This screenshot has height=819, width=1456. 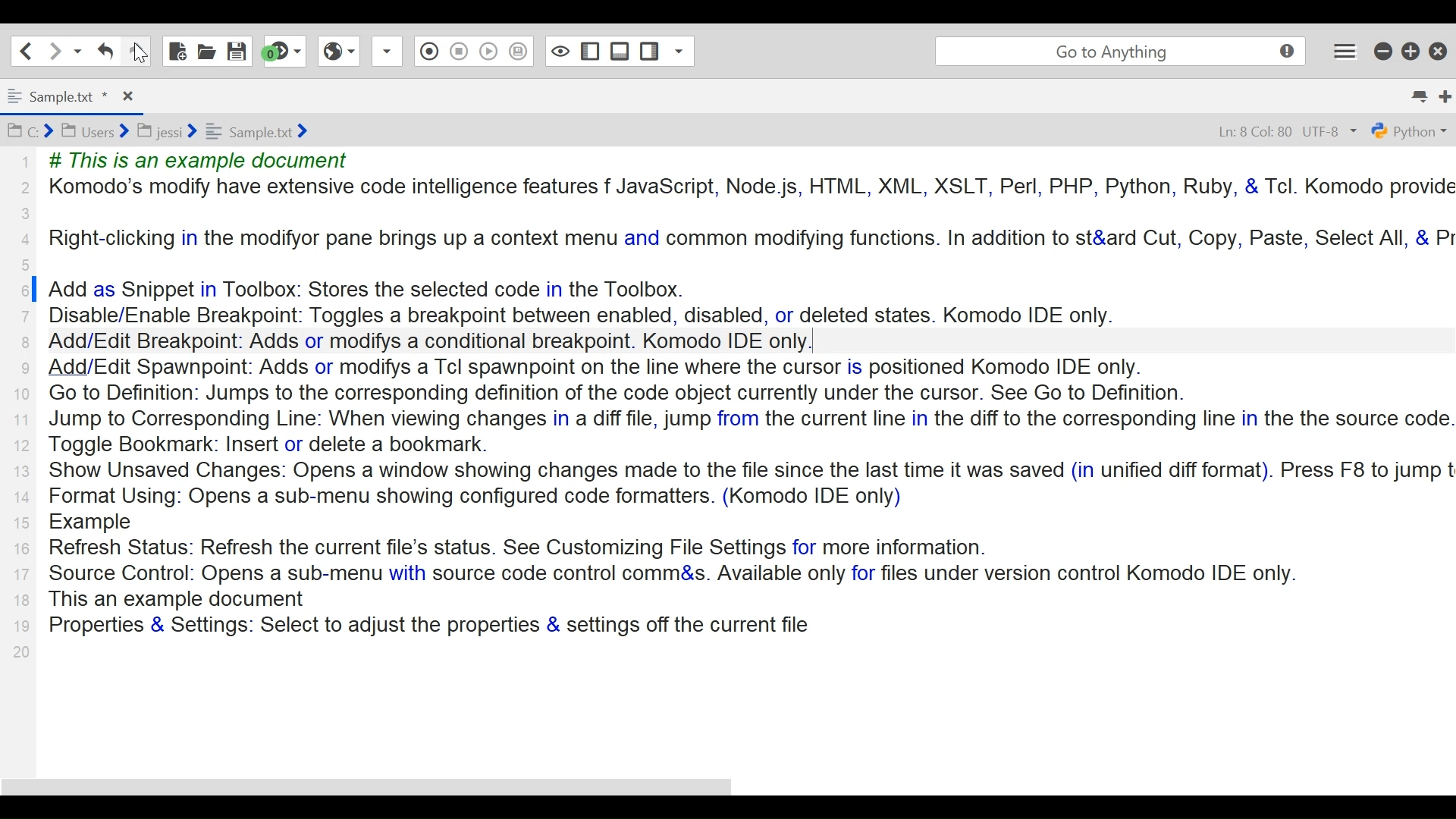 I want to click on Line Number, so click(x=23, y=409).